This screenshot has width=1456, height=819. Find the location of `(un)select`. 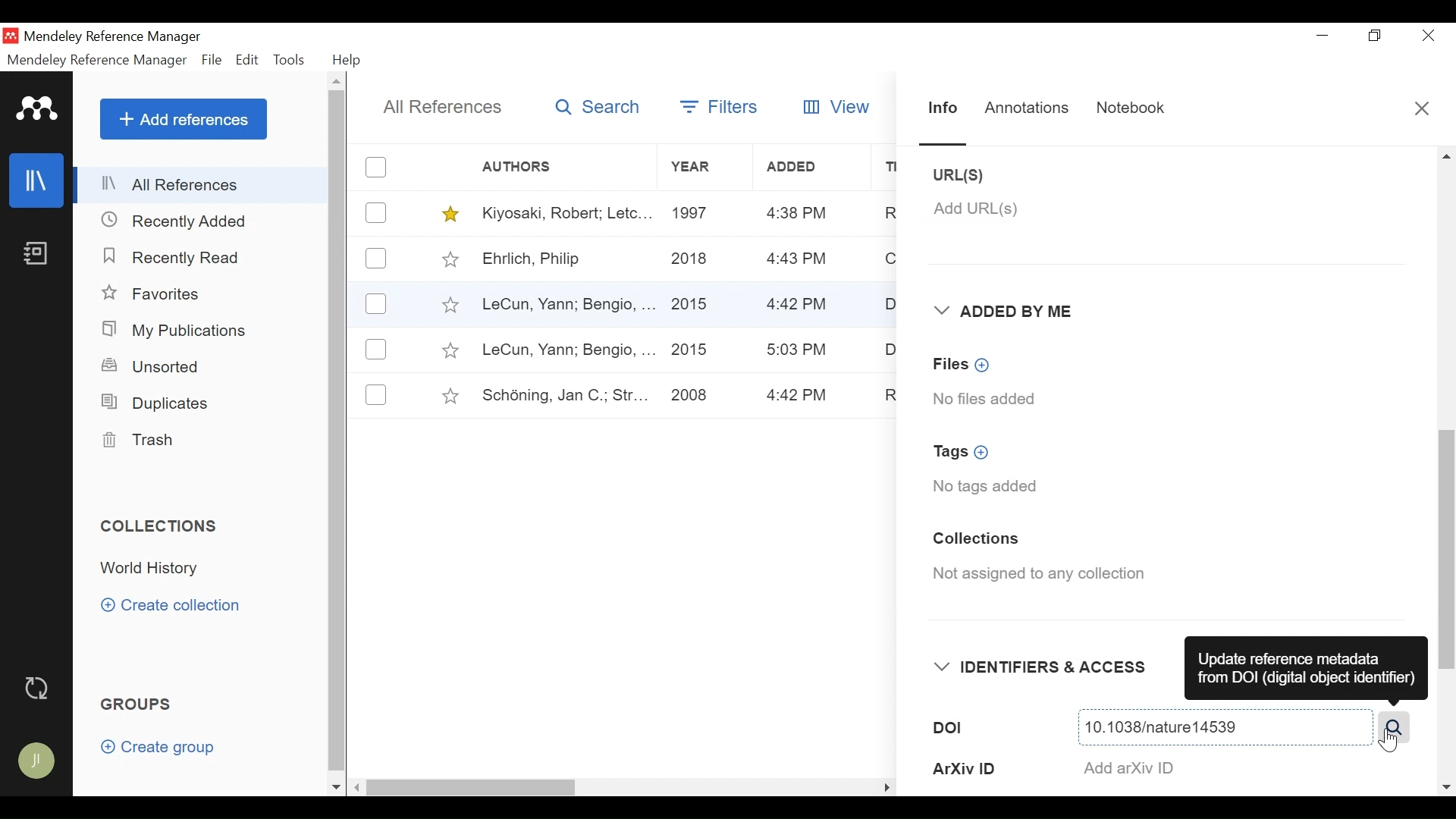

(un)select is located at coordinates (376, 394).